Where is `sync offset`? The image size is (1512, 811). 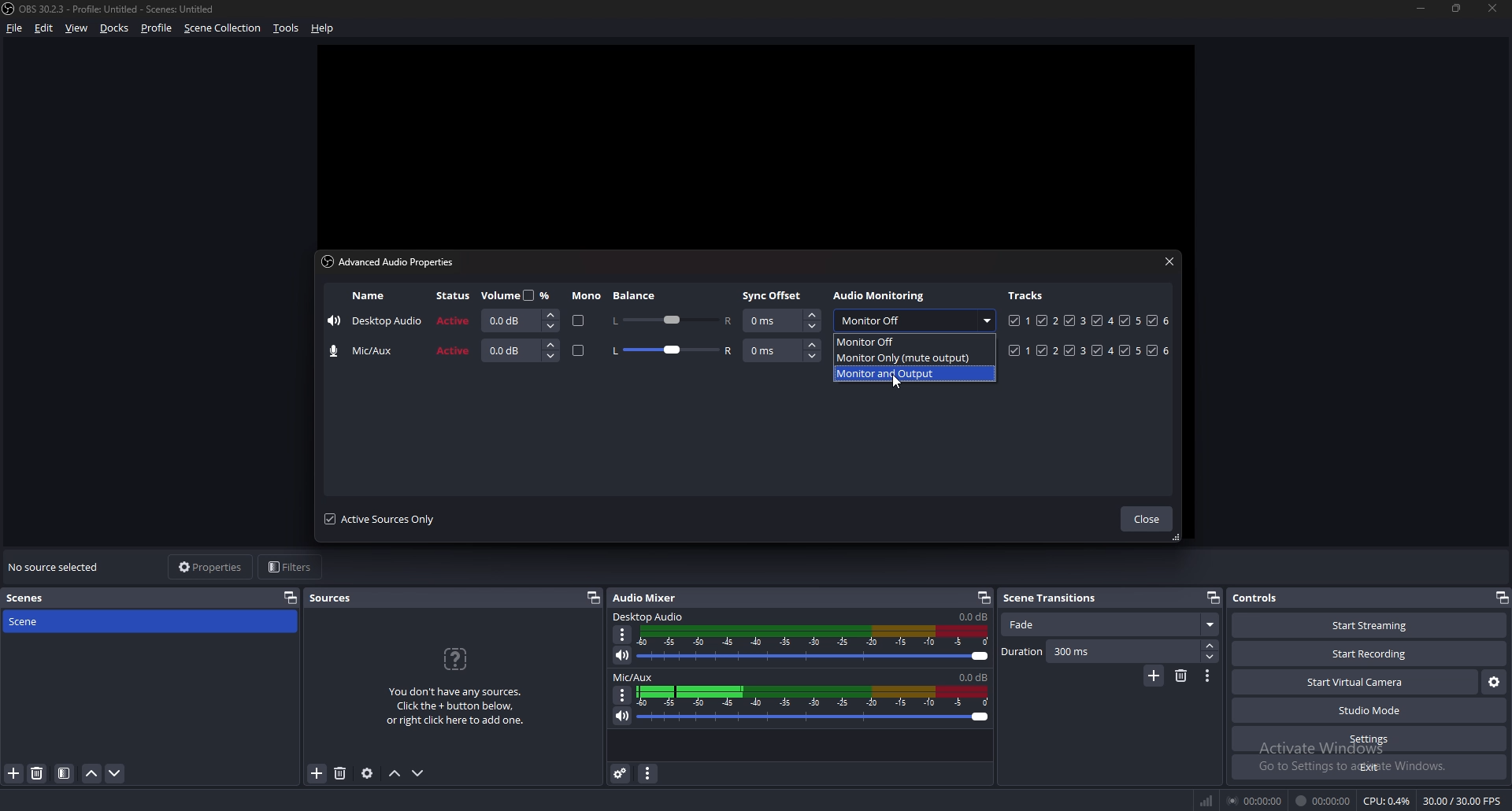
sync offset is located at coordinates (774, 295).